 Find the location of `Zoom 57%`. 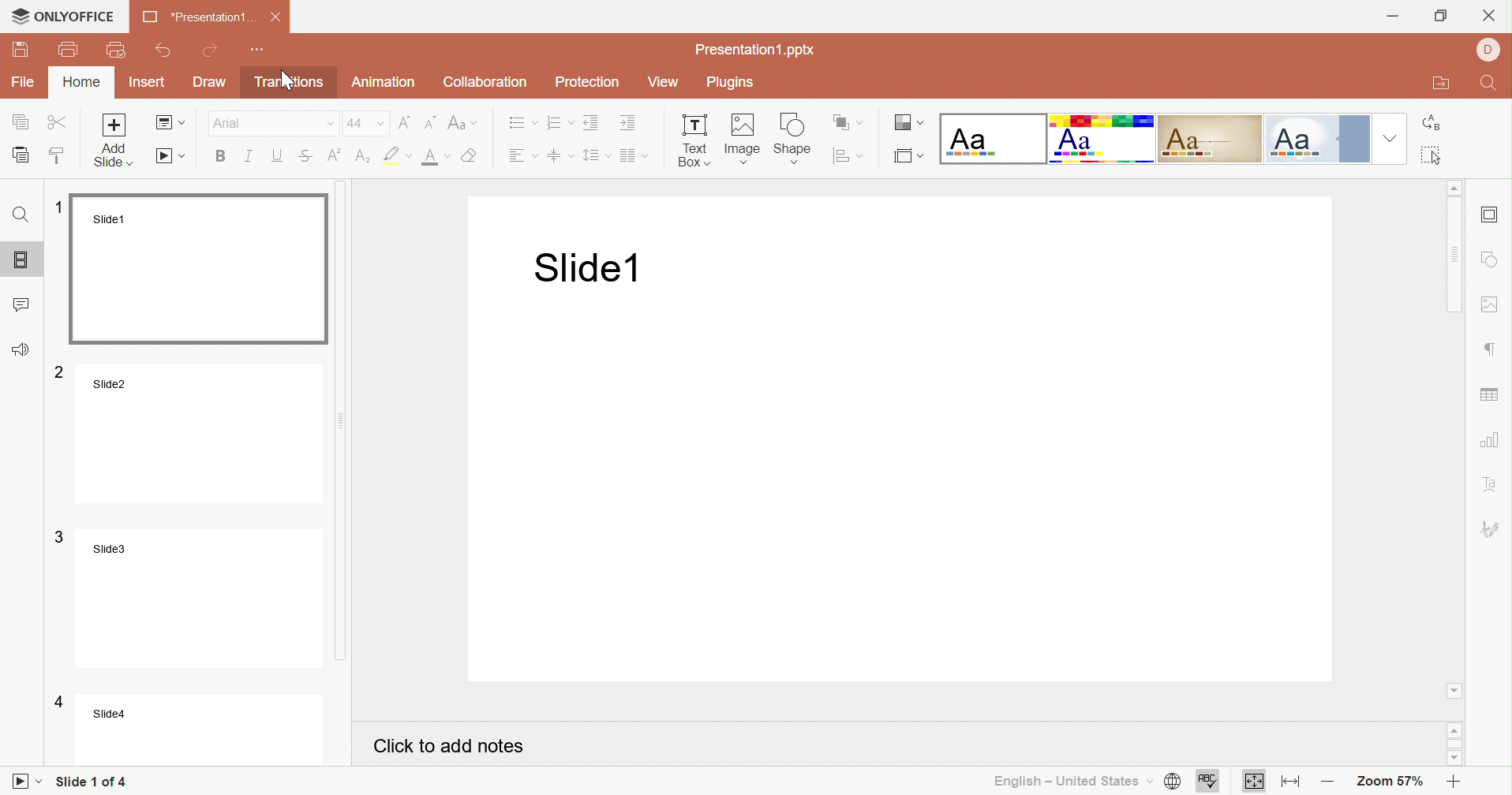

Zoom 57% is located at coordinates (1392, 784).